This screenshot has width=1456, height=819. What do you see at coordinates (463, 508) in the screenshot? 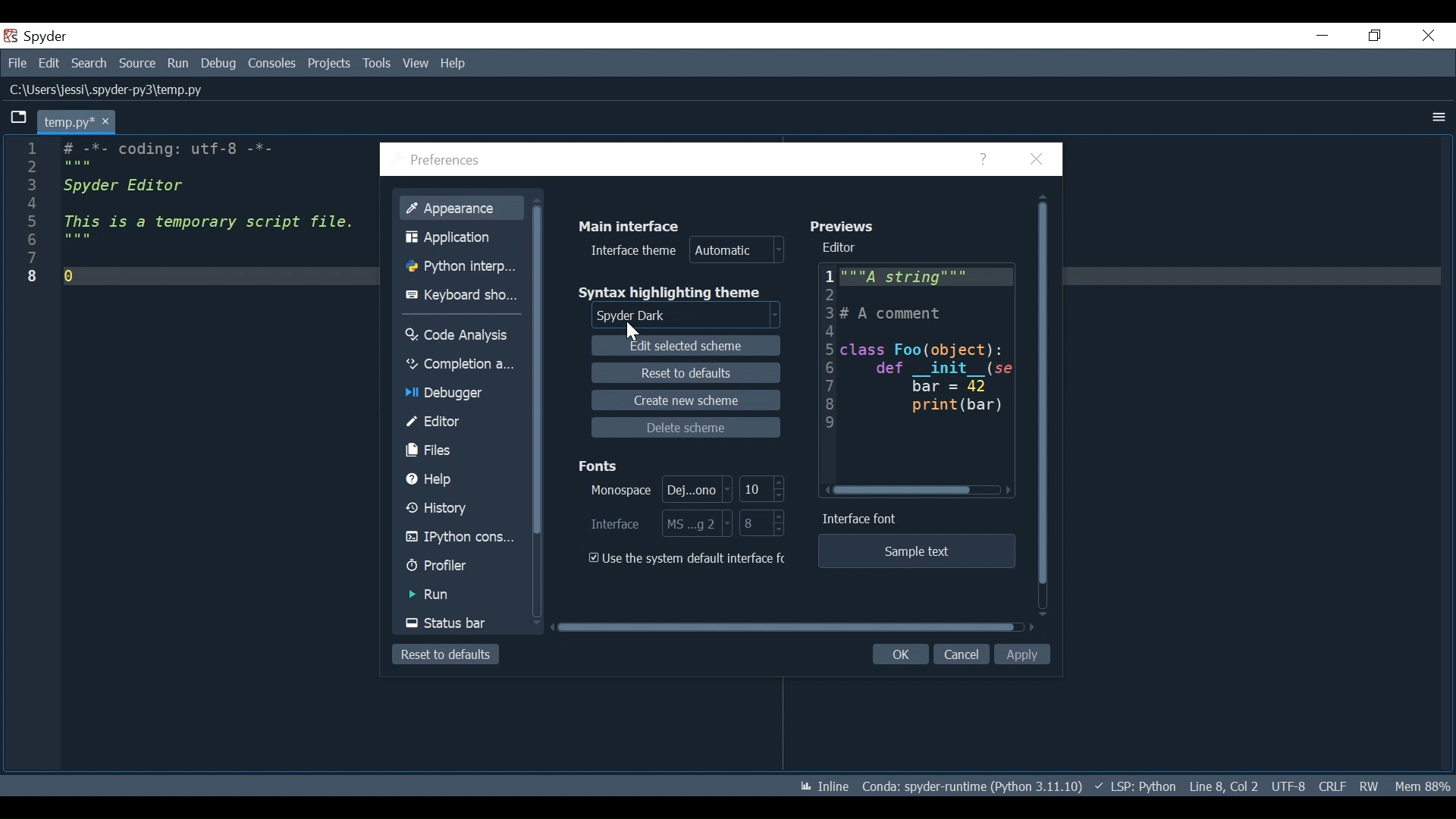
I see `History` at bounding box center [463, 508].